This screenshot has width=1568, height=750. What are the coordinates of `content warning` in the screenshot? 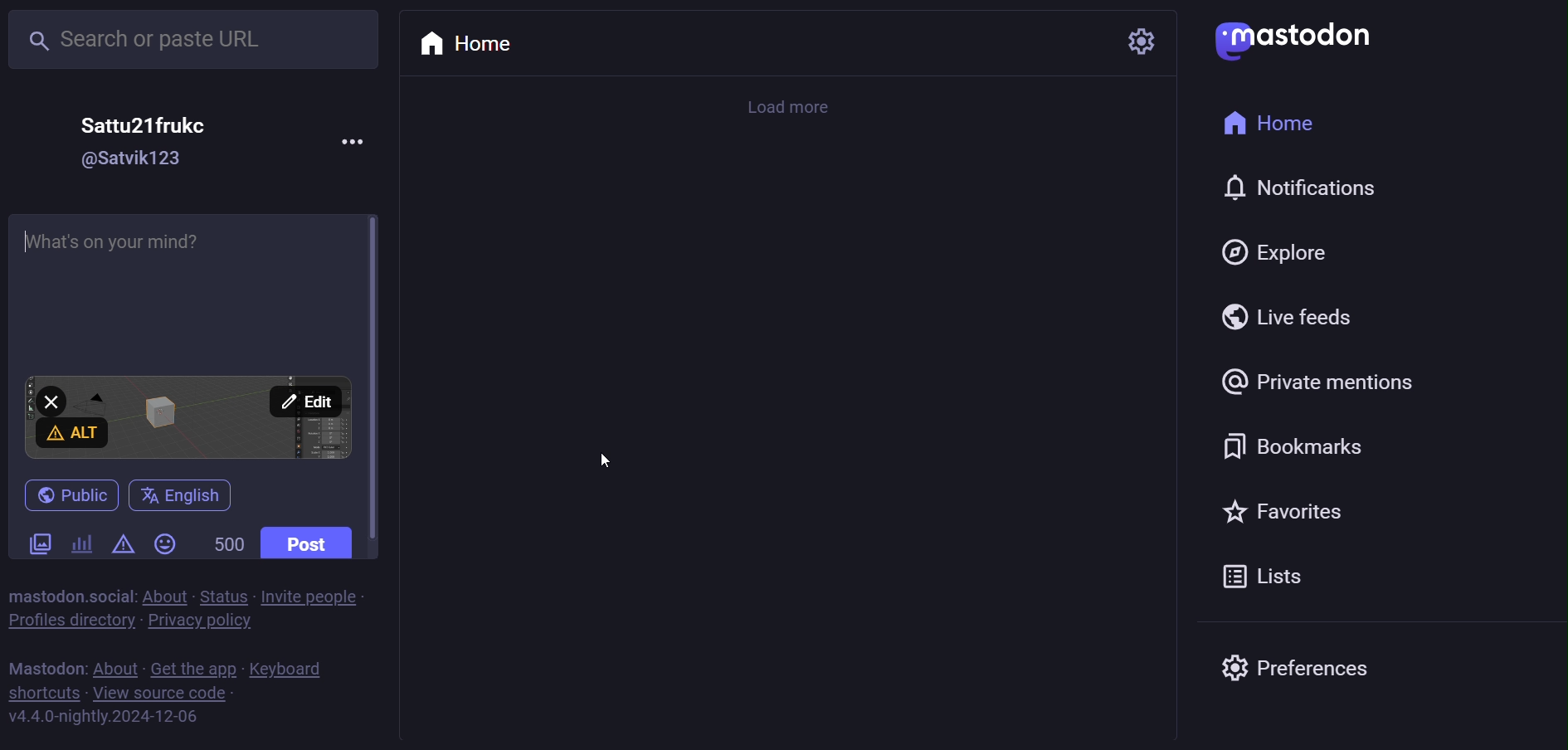 It's located at (123, 543).